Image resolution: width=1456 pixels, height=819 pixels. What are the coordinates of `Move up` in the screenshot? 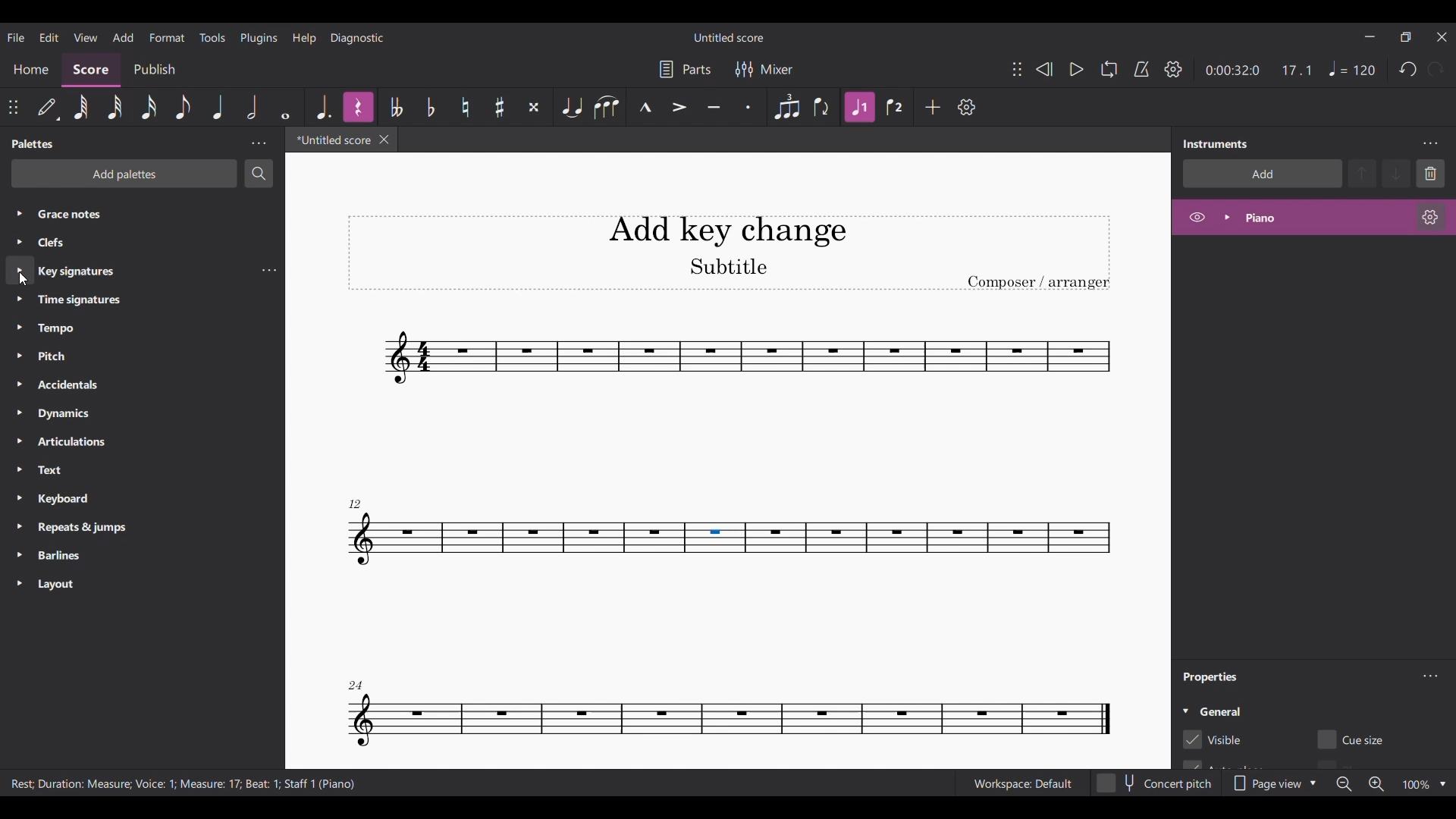 It's located at (1363, 174).